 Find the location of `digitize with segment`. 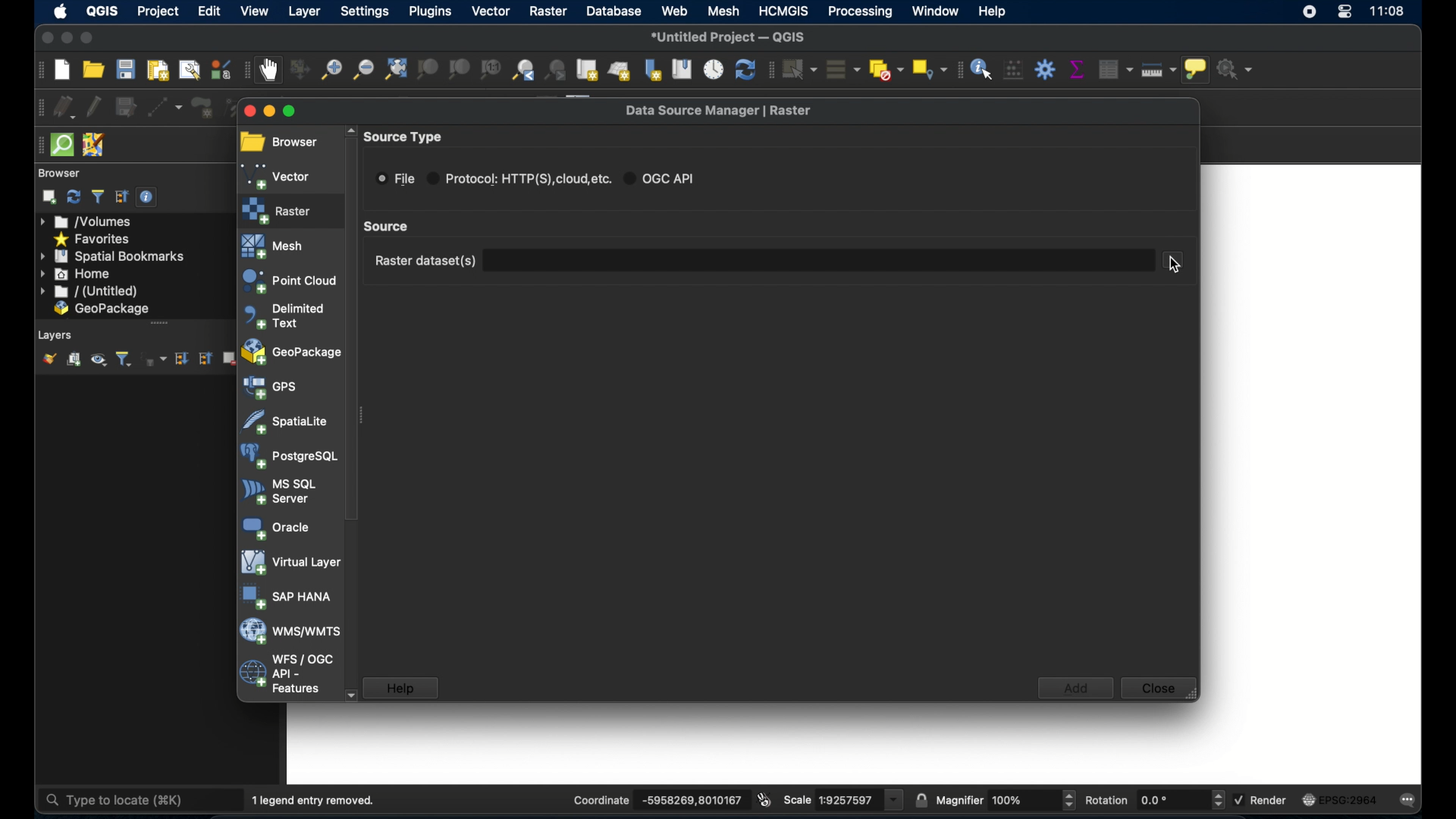

digitize with segment is located at coordinates (165, 107).